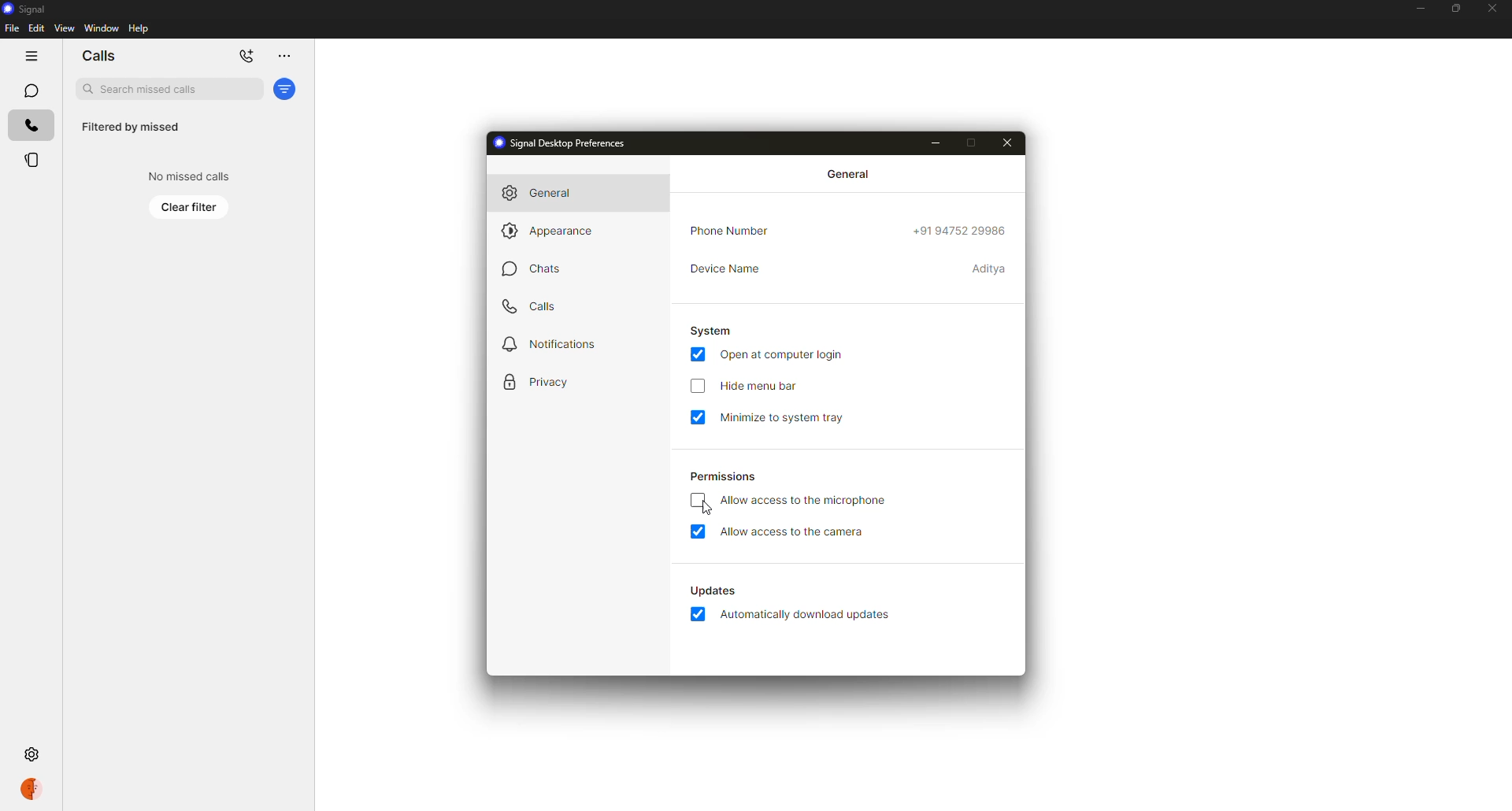  Describe the element at coordinates (568, 143) in the screenshot. I see `signal desktop preferences` at that location.